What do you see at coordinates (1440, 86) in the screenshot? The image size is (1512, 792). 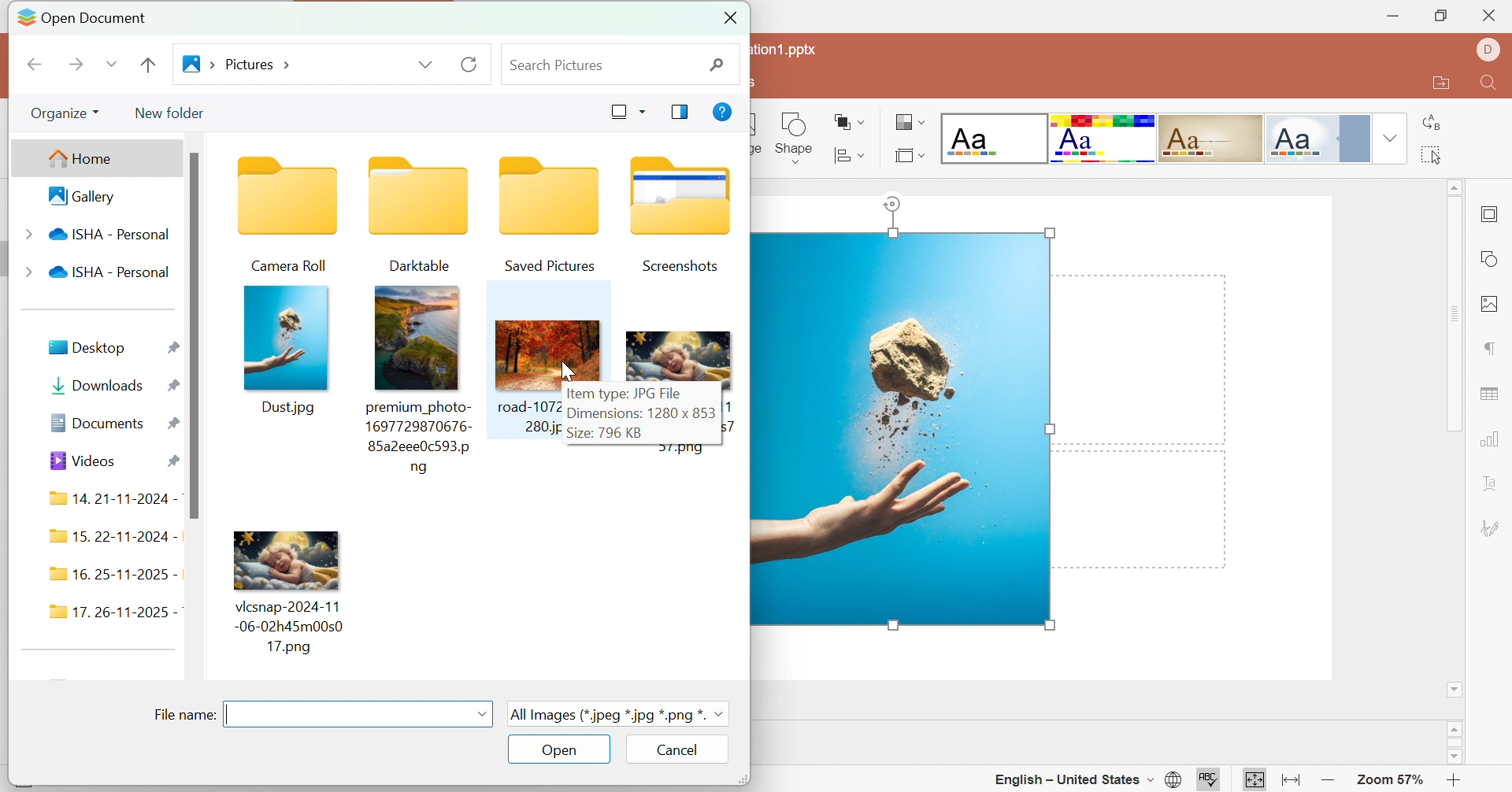 I see `Open file location` at bounding box center [1440, 86].